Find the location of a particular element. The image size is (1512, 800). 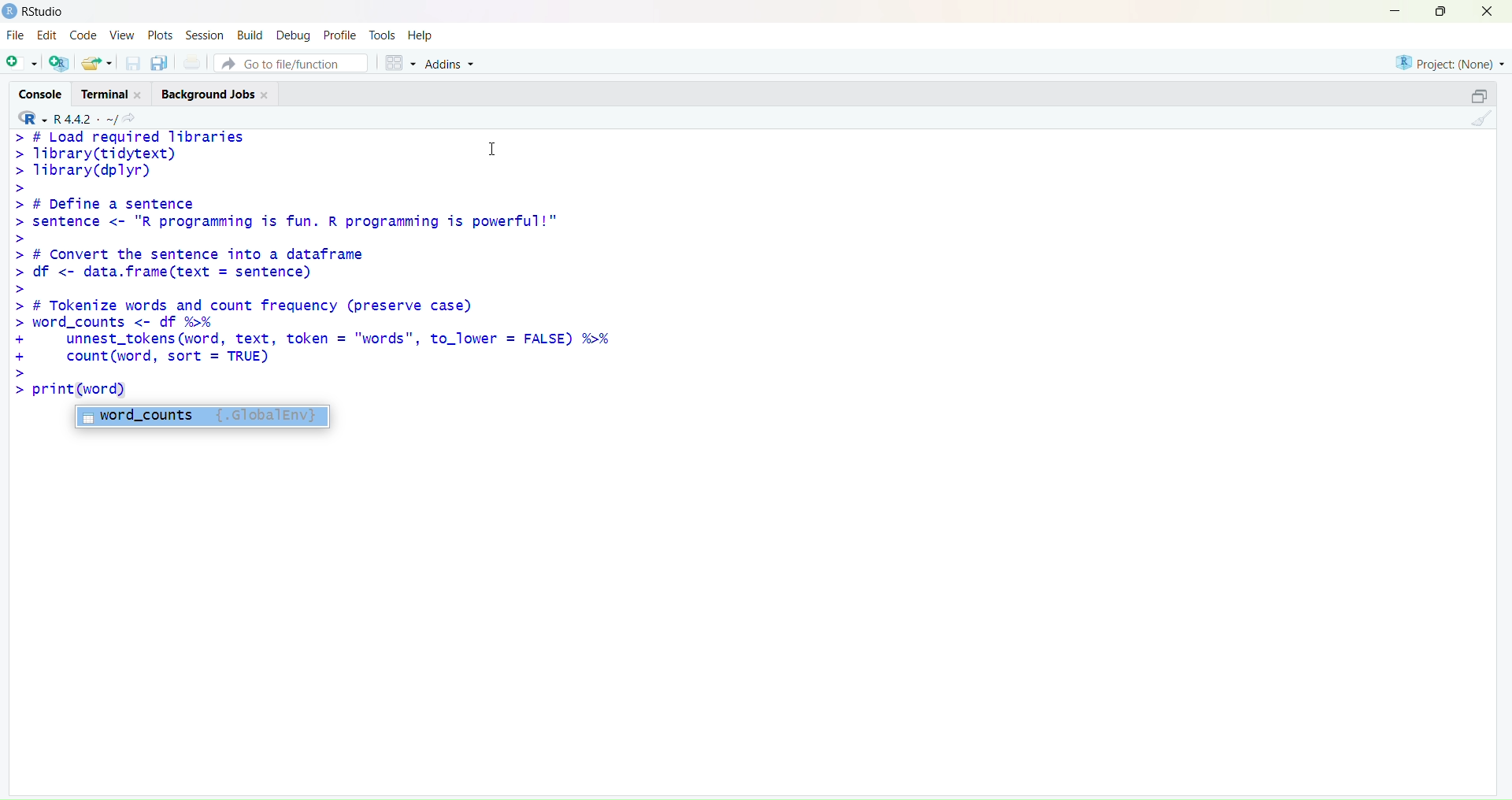

> print(word) is located at coordinates (73, 391).